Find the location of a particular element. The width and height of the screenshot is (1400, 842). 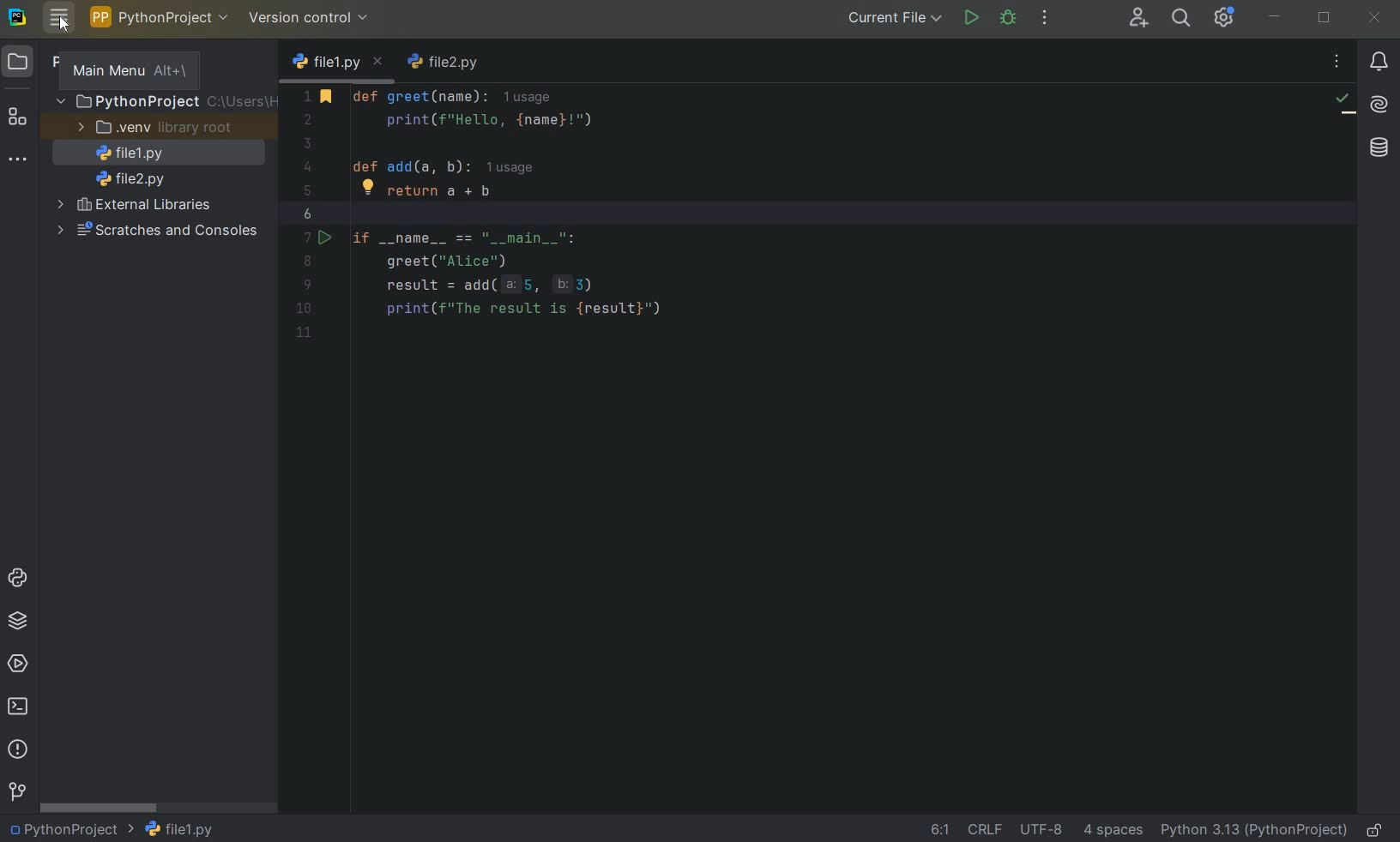

line number is located at coordinates (310, 214).